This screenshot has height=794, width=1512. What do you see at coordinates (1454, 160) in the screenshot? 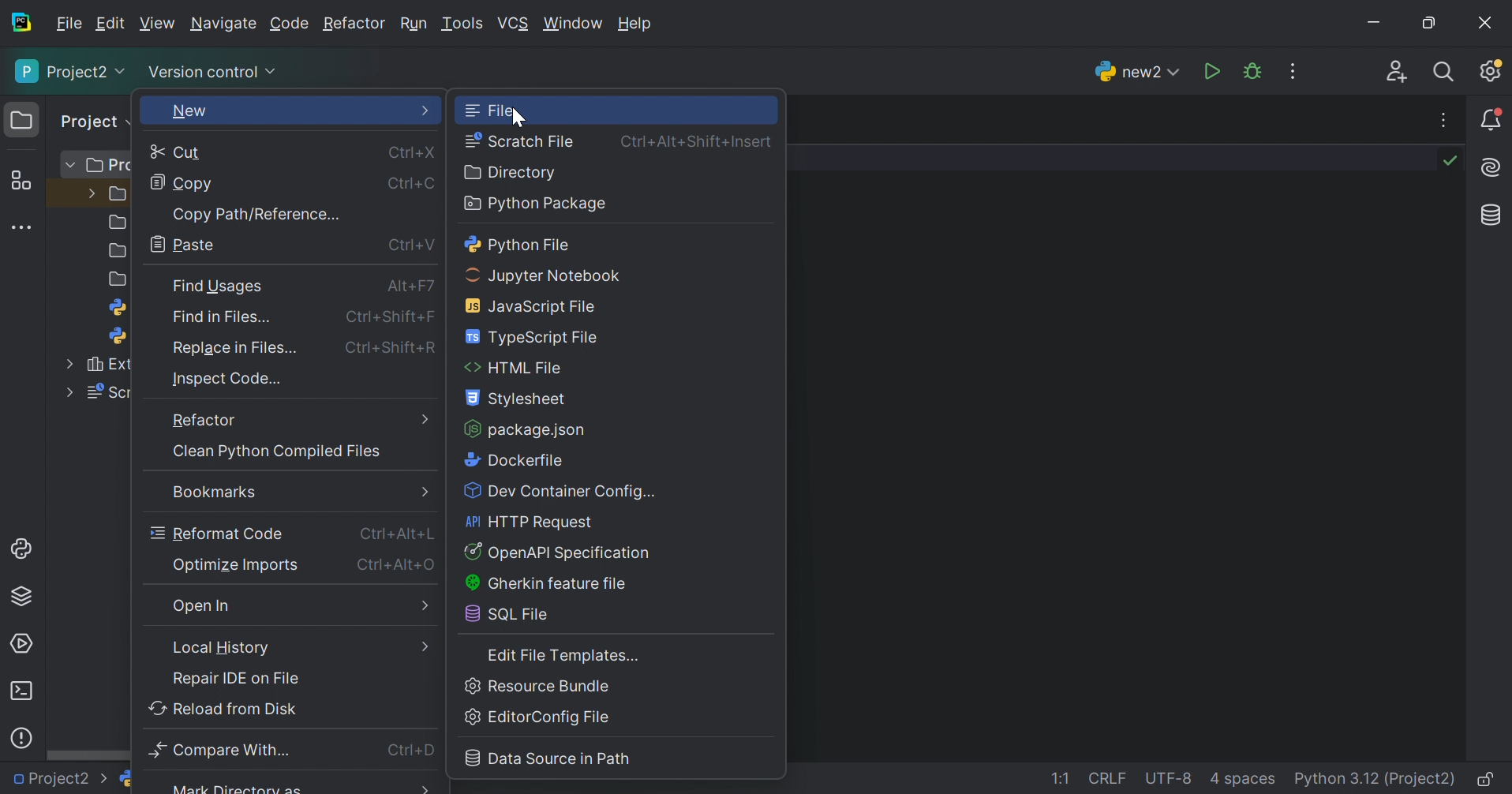
I see `No problems` at bounding box center [1454, 160].